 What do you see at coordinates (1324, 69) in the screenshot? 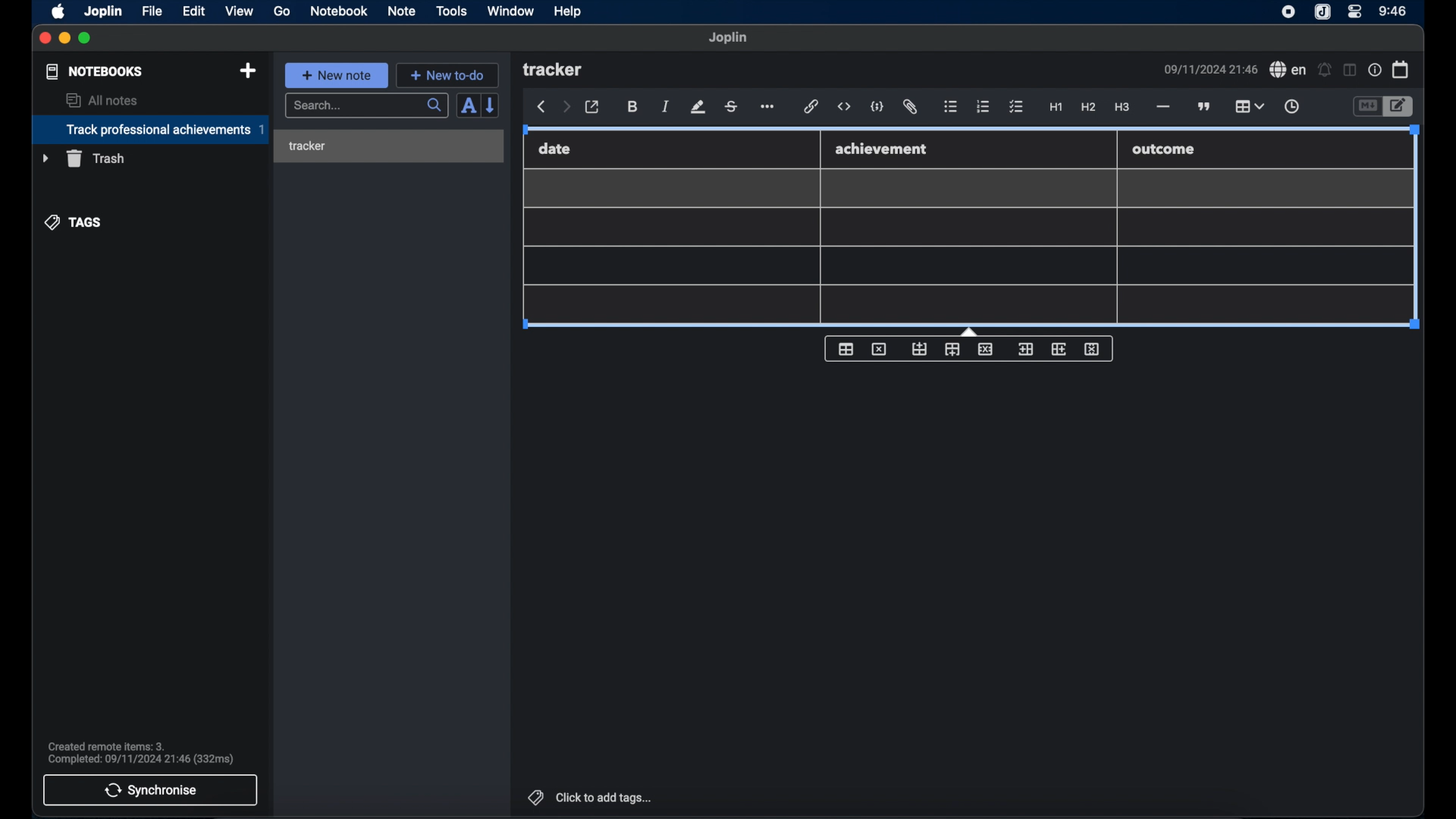
I see `set alarm` at bounding box center [1324, 69].